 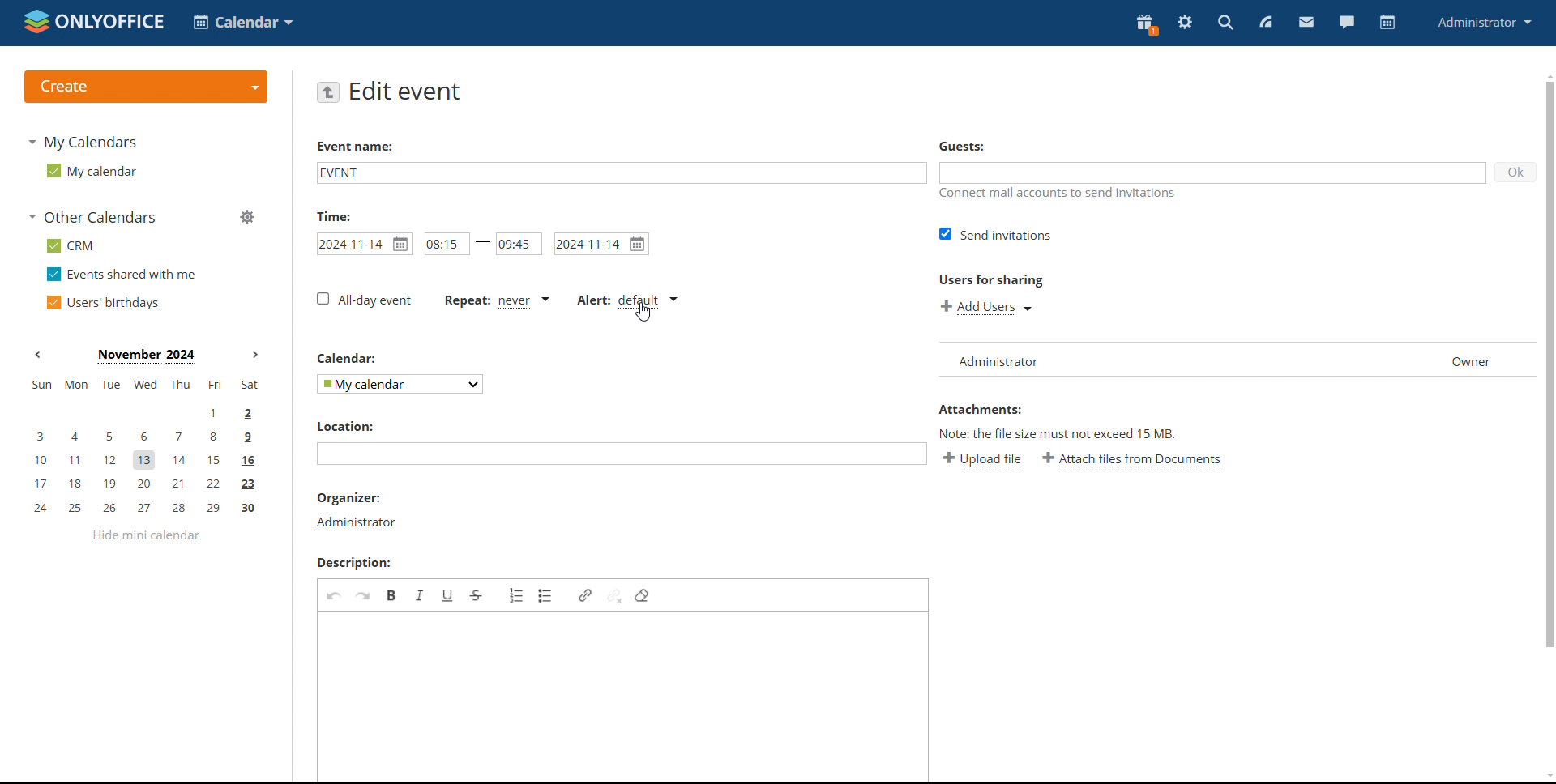 I want to click on attach file from documents, so click(x=1131, y=460).